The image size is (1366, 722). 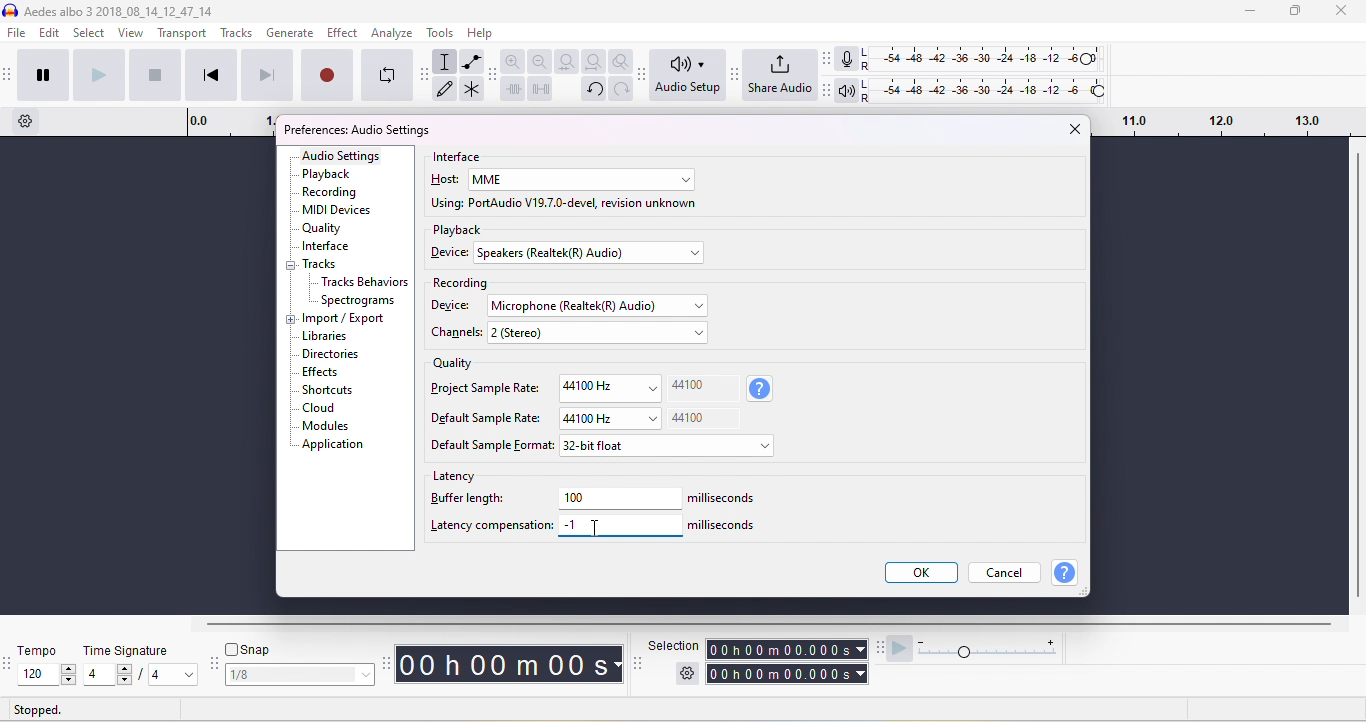 I want to click on play, so click(x=98, y=73).